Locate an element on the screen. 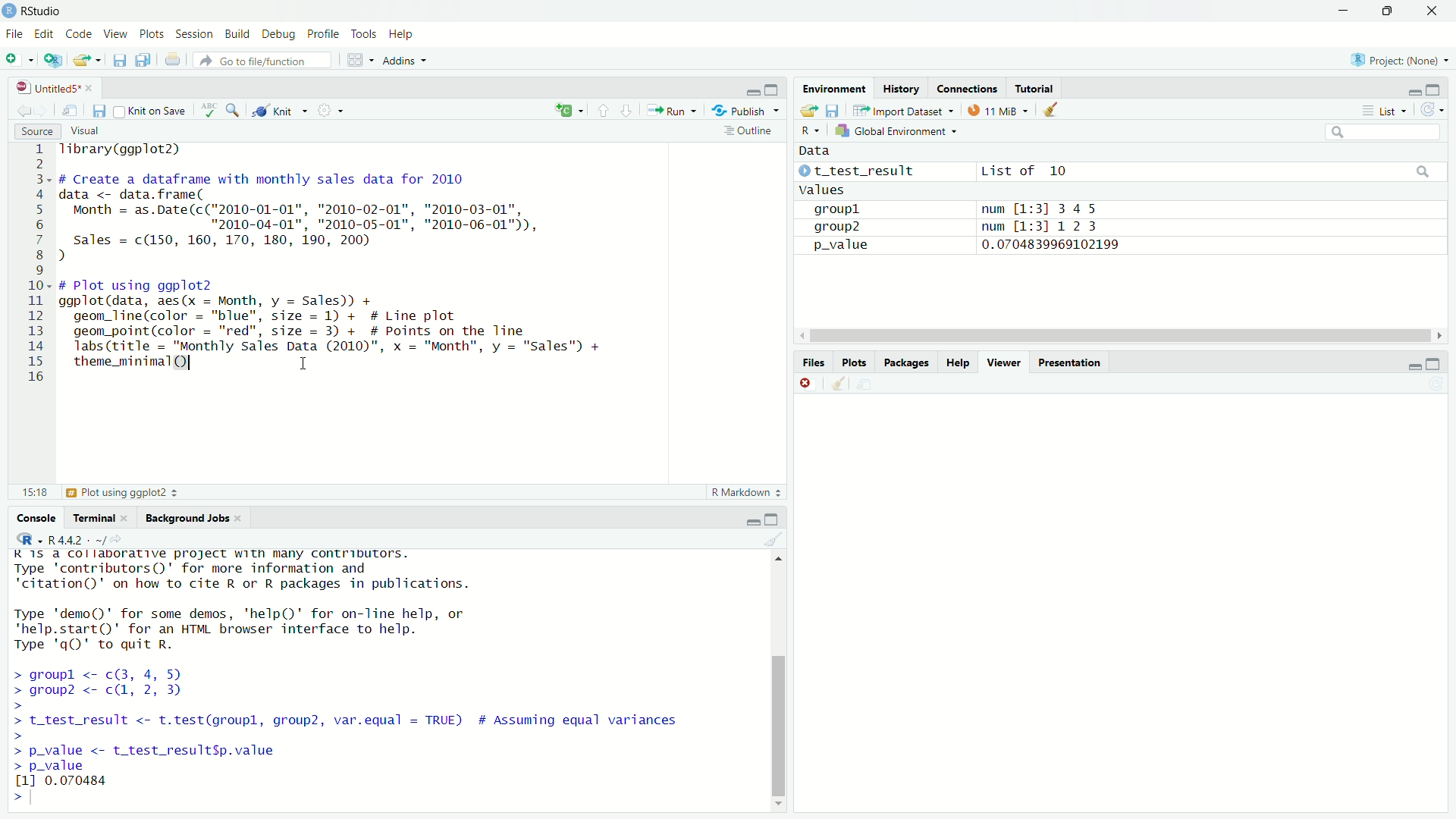 Image resolution: width=1456 pixels, height=819 pixels. Outline is located at coordinates (749, 130).